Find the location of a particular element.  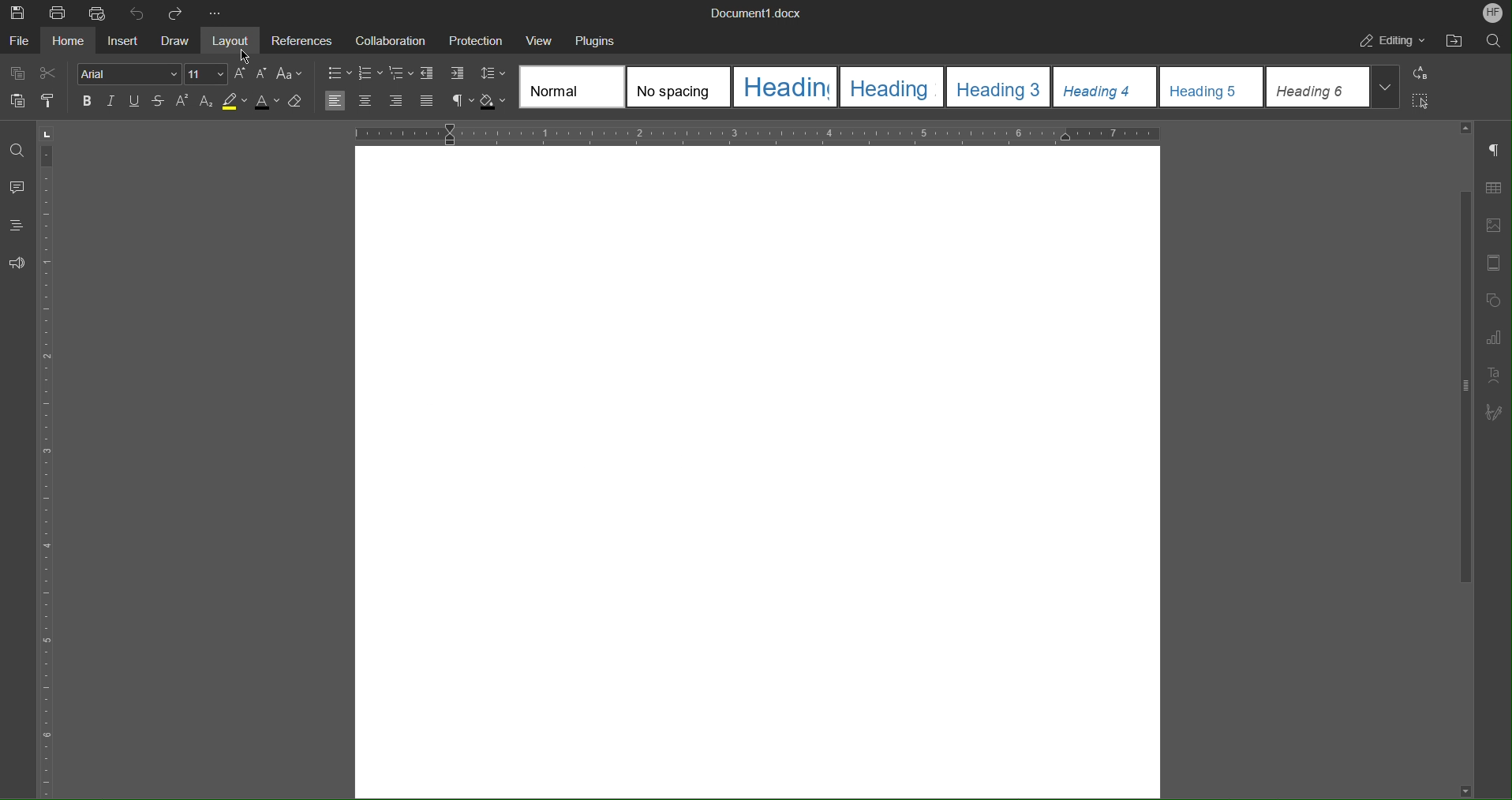

Quick Print is located at coordinates (99, 13).